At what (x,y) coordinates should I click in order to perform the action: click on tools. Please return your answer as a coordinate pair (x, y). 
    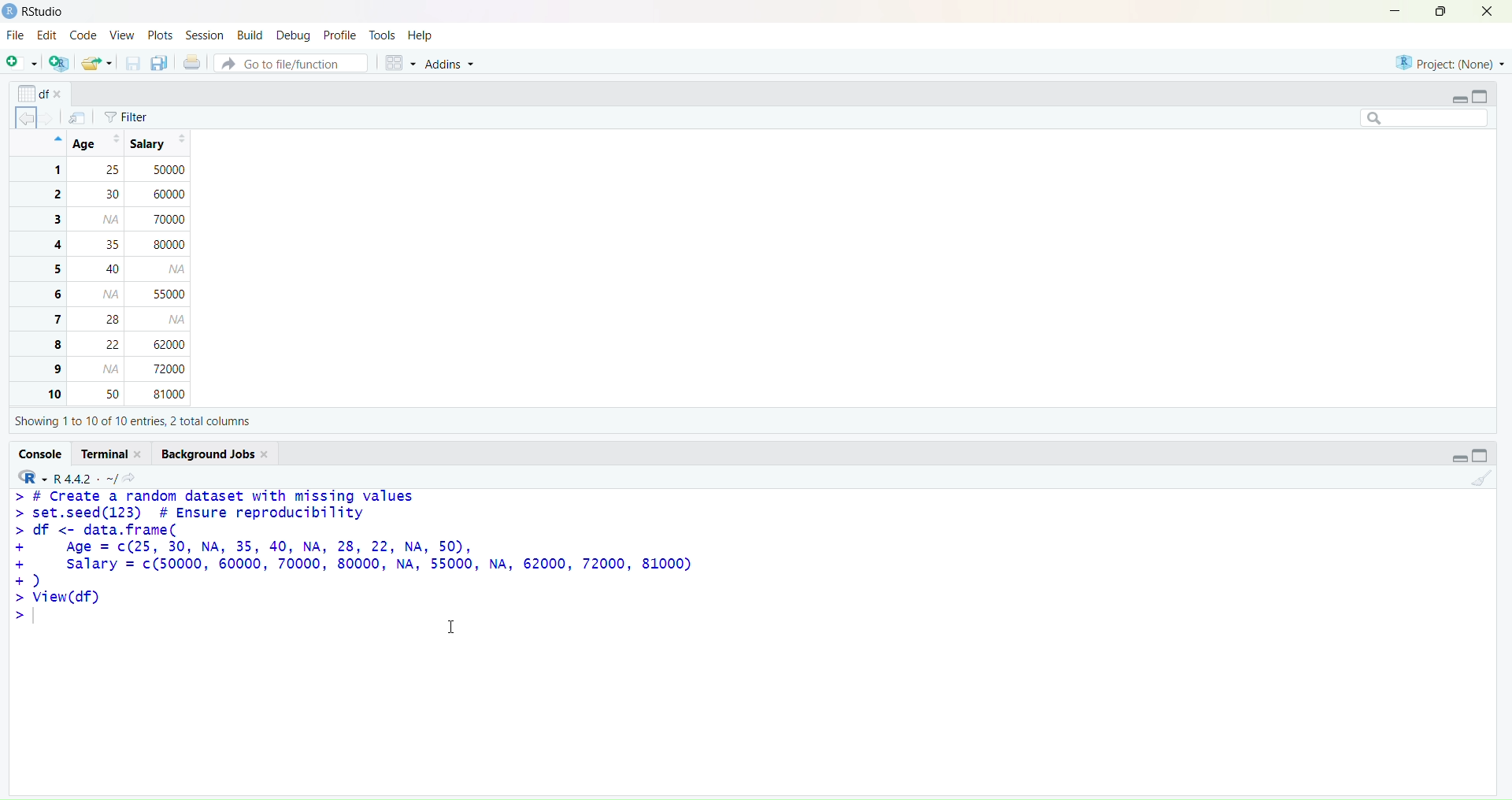
    Looking at the image, I should click on (384, 35).